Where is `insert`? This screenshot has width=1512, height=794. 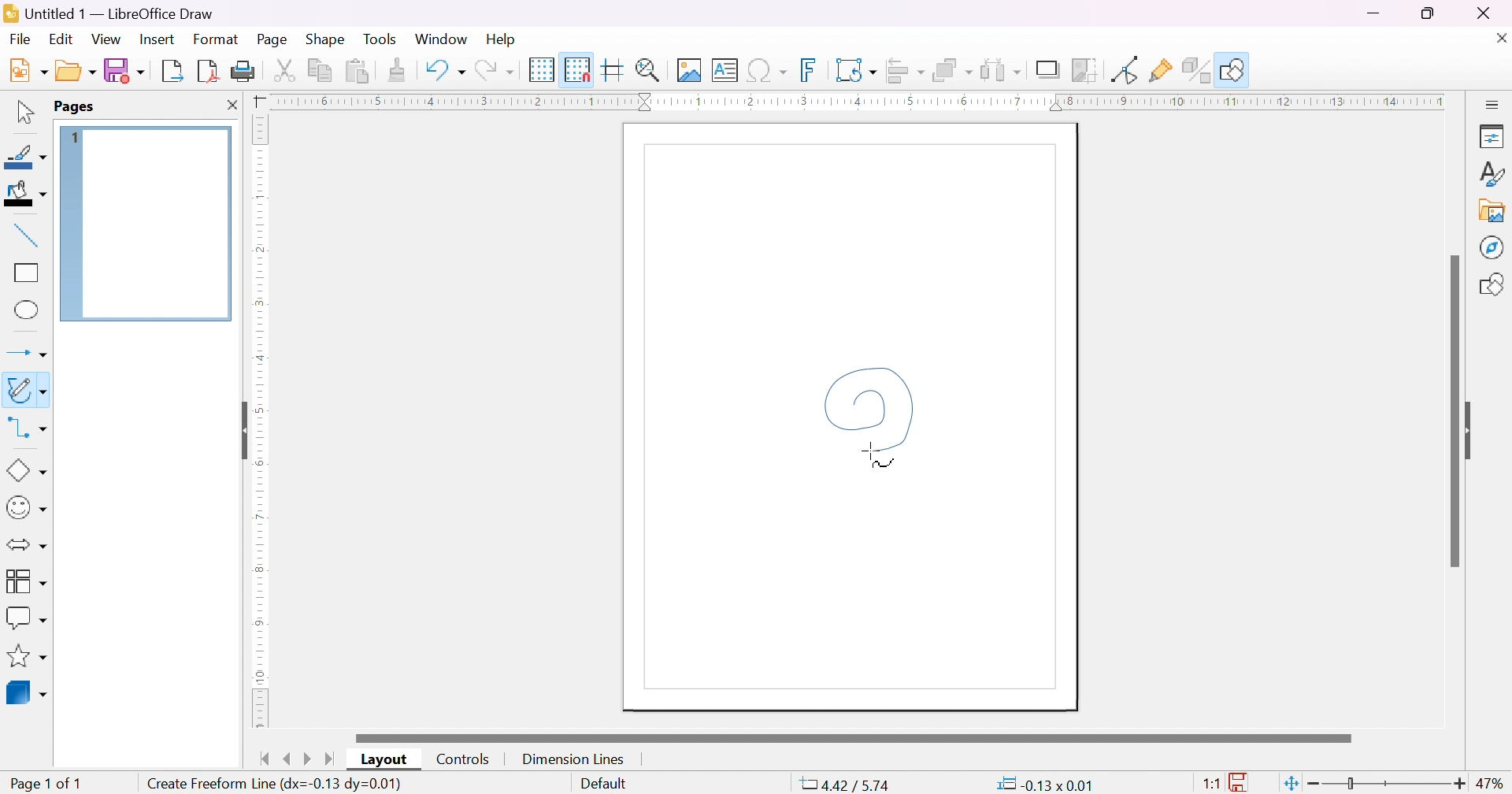 insert is located at coordinates (156, 39).